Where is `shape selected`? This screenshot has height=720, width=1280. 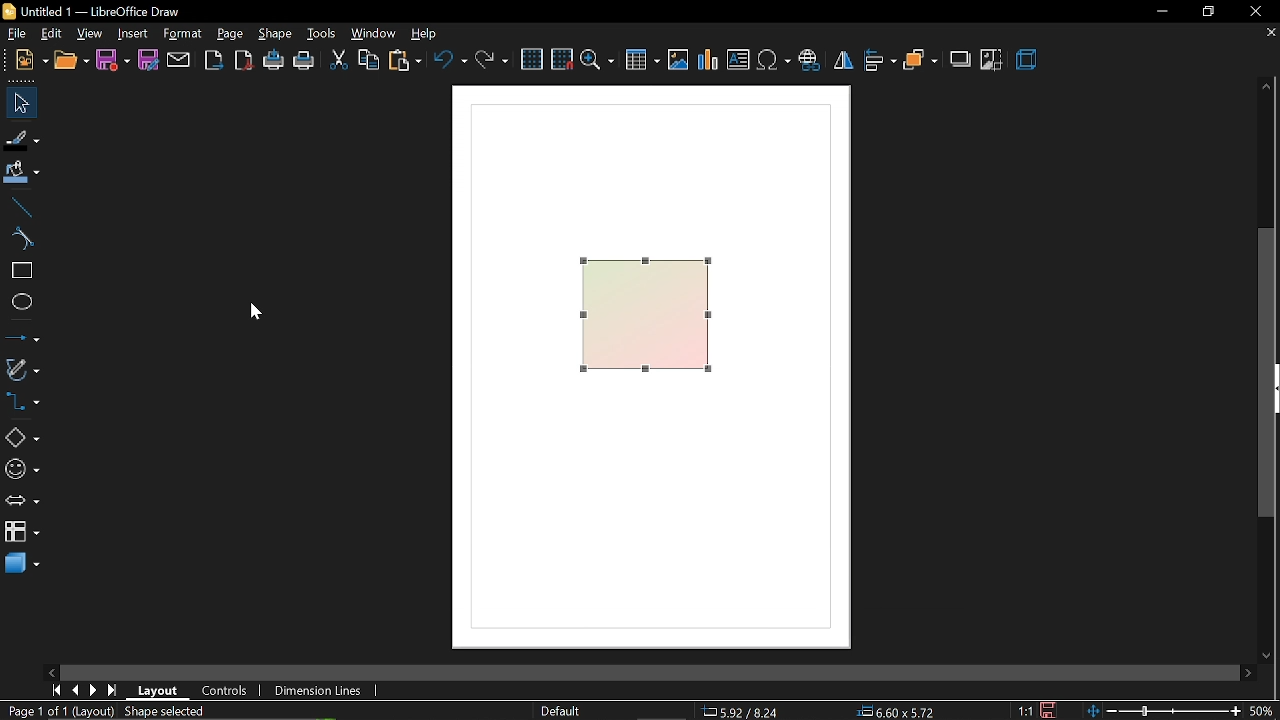 shape selected is located at coordinates (161, 710).